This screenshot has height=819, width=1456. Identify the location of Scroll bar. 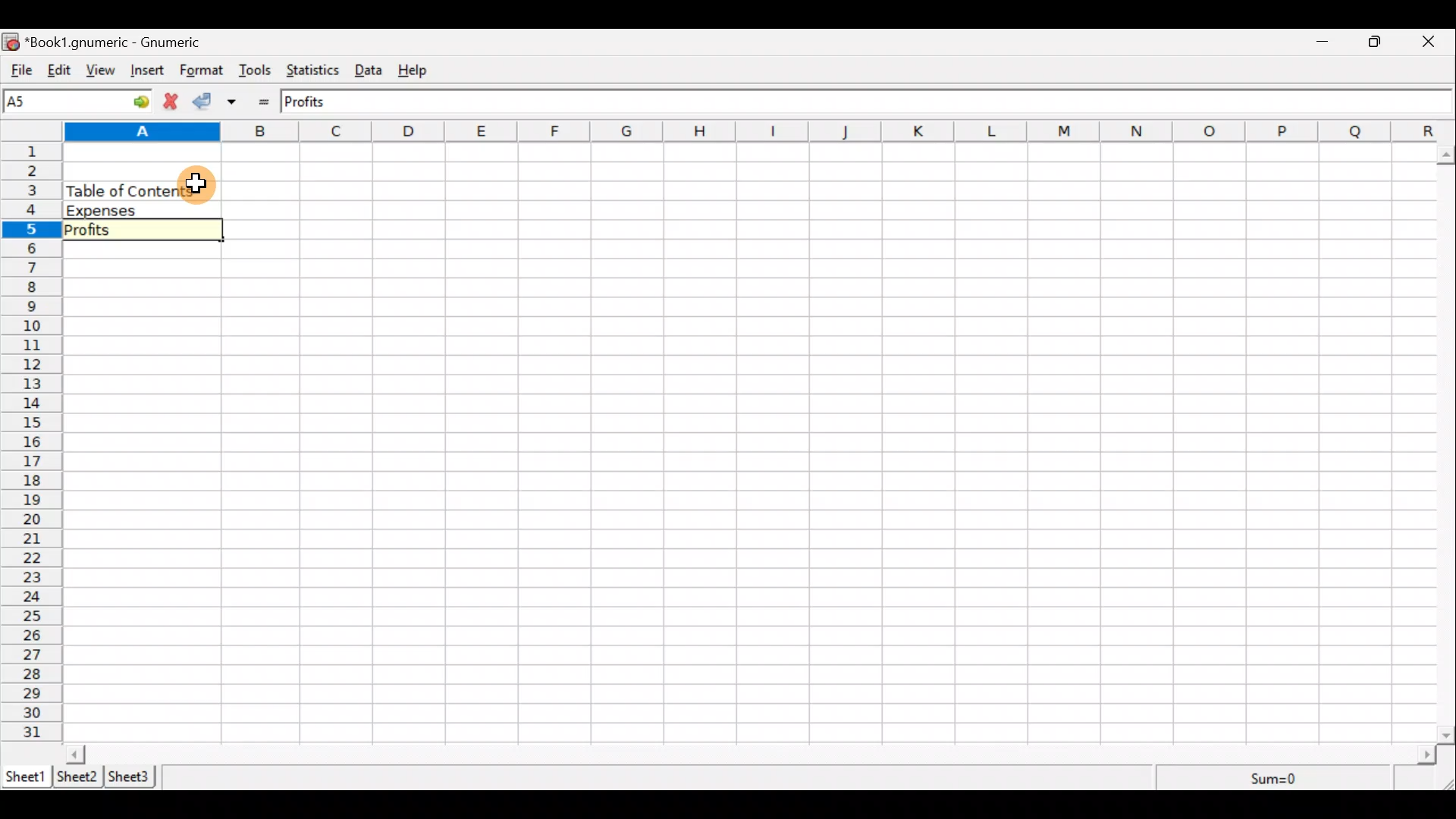
(1447, 441).